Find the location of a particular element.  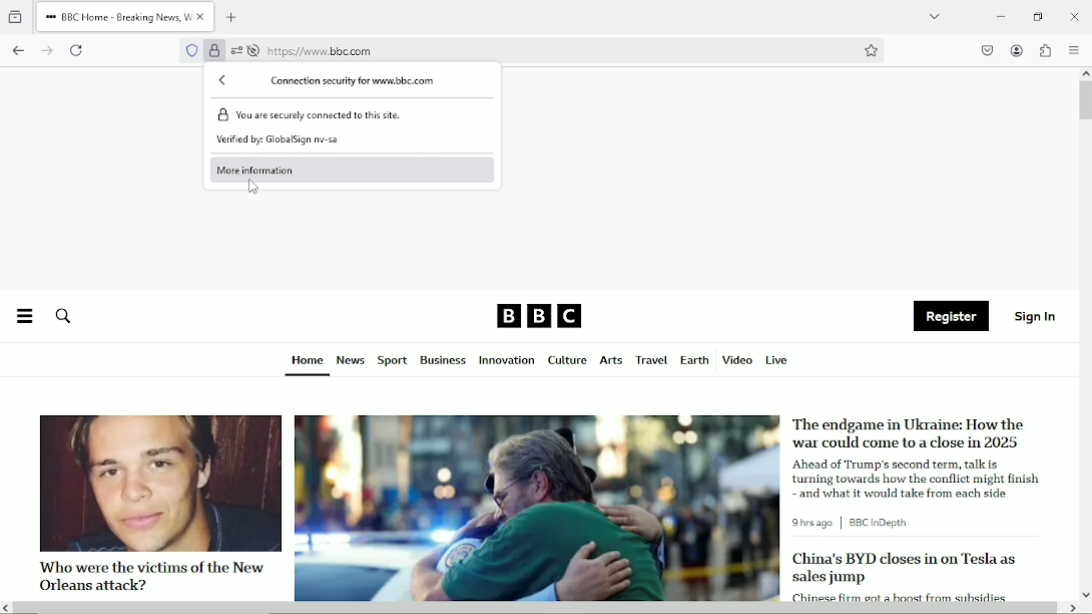

Arts is located at coordinates (610, 362).